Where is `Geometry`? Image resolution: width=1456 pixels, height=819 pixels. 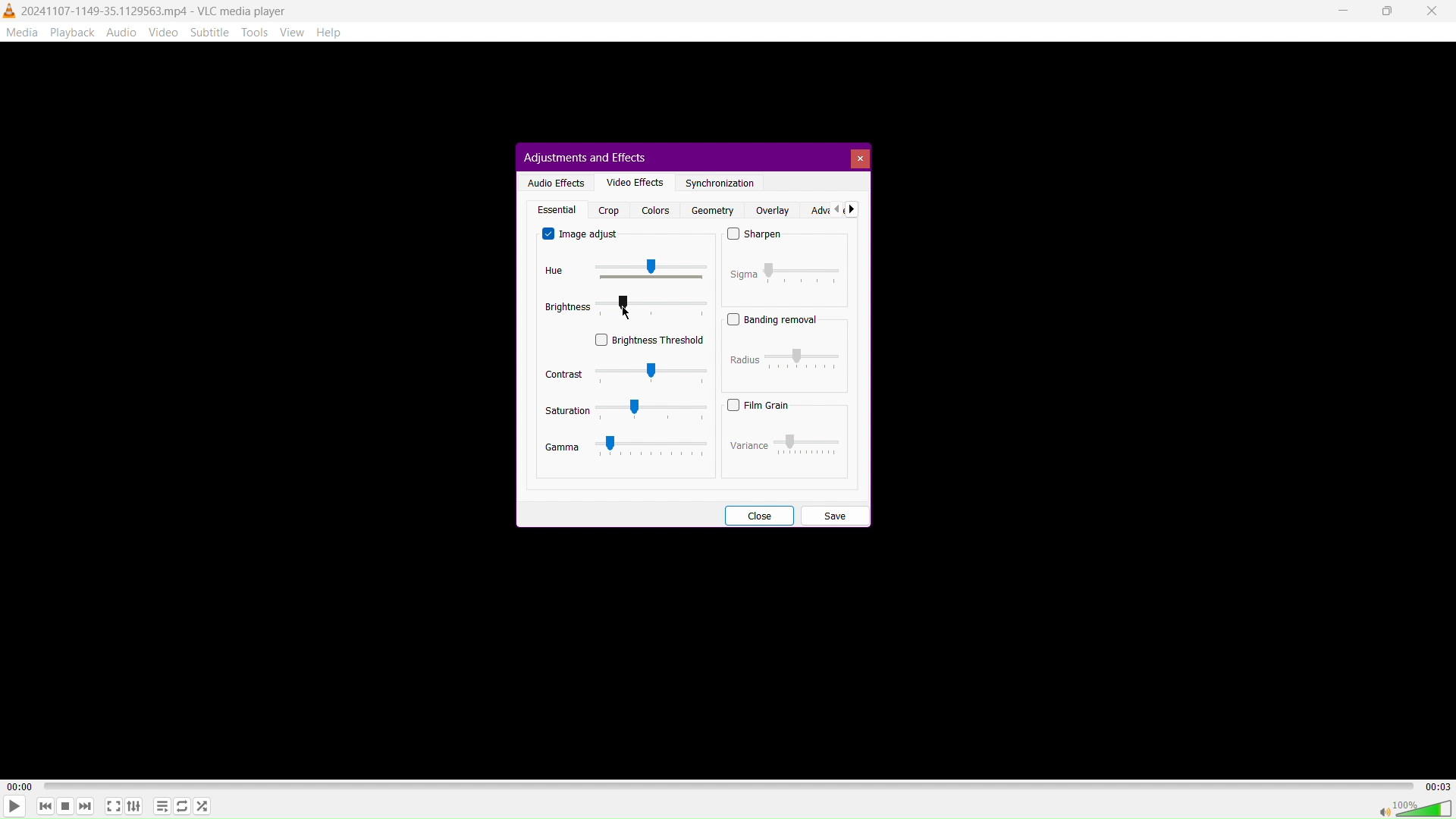
Geometry is located at coordinates (710, 210).